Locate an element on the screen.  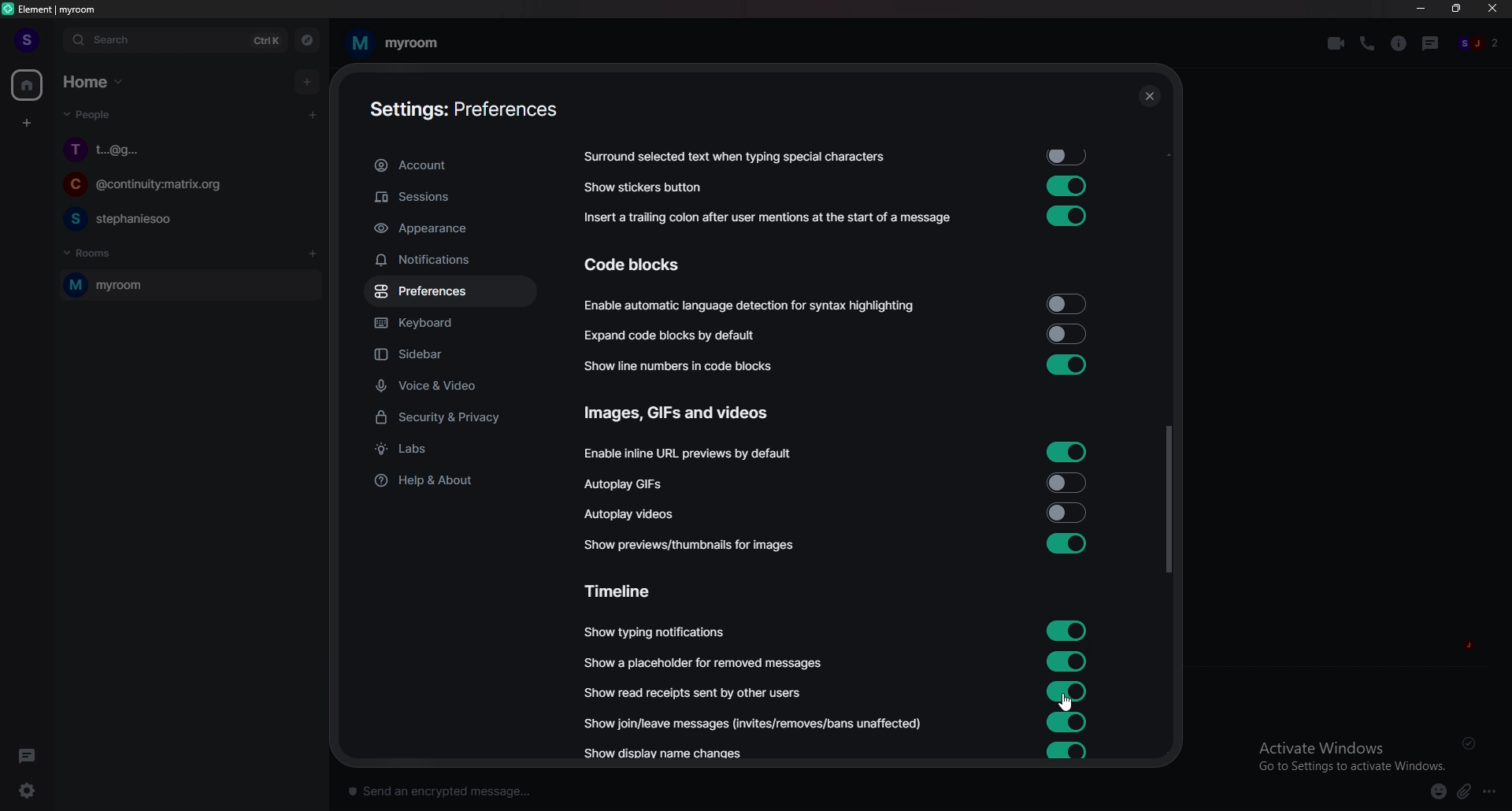
security and privacy is located at coordinates (451, 419).